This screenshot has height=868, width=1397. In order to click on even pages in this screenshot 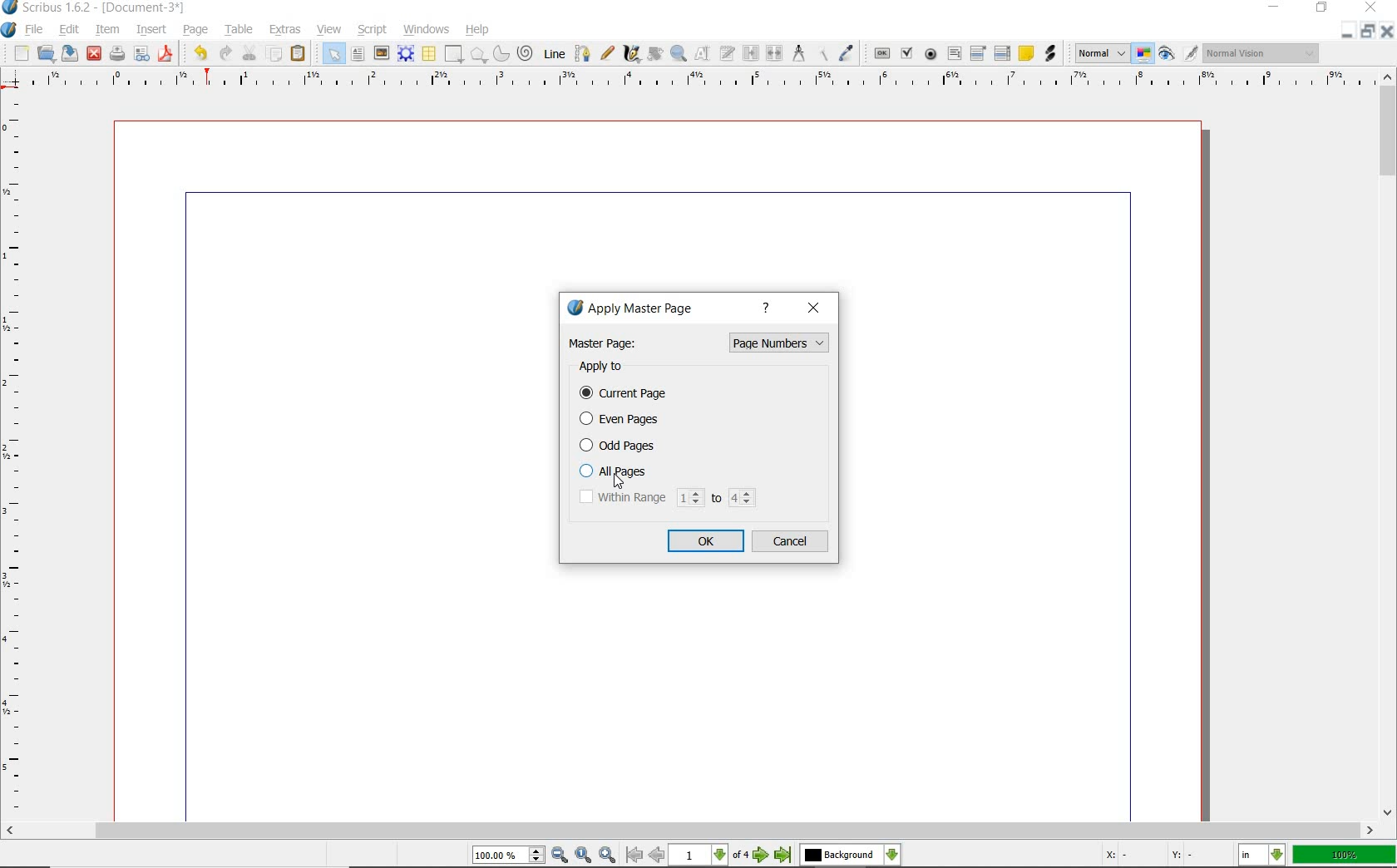, I will do `click(623, 421)`.